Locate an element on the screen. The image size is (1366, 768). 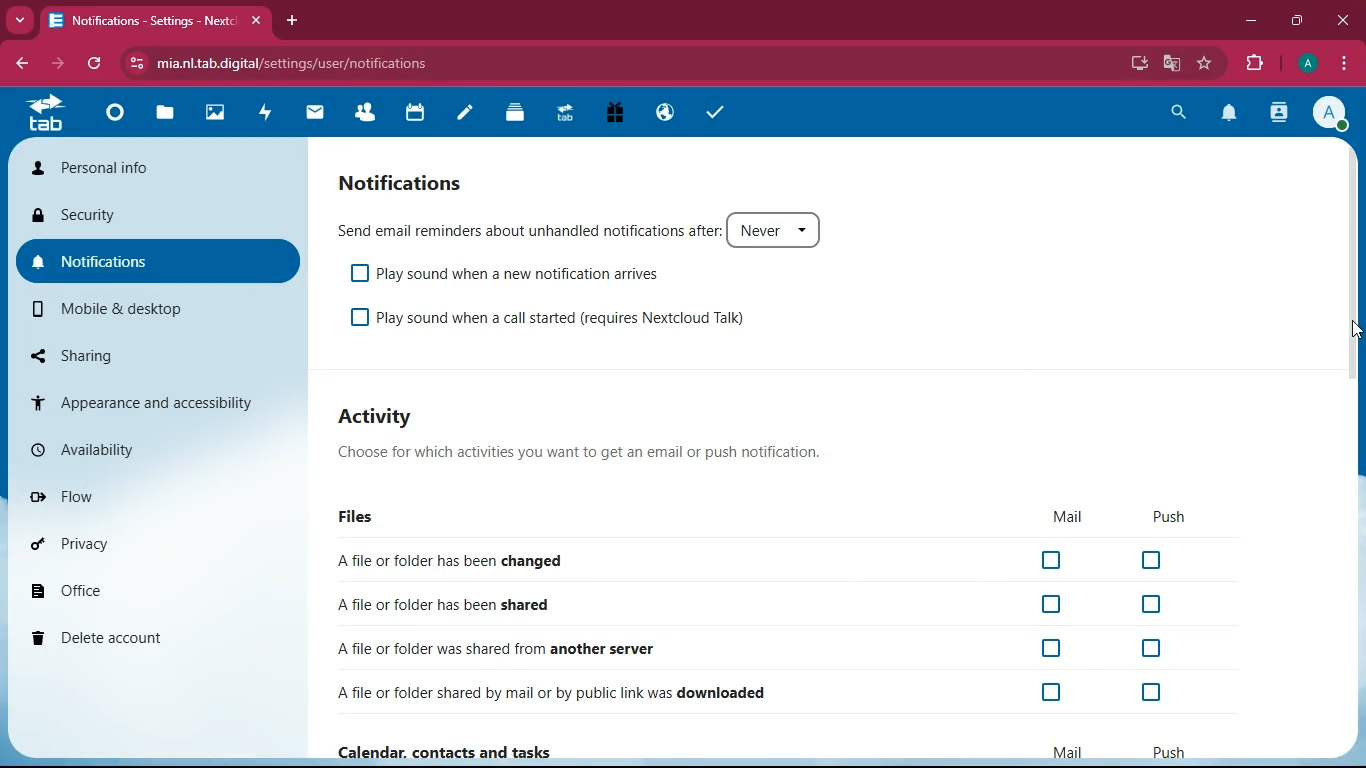
maximize is located at coordinates (1296, 21).